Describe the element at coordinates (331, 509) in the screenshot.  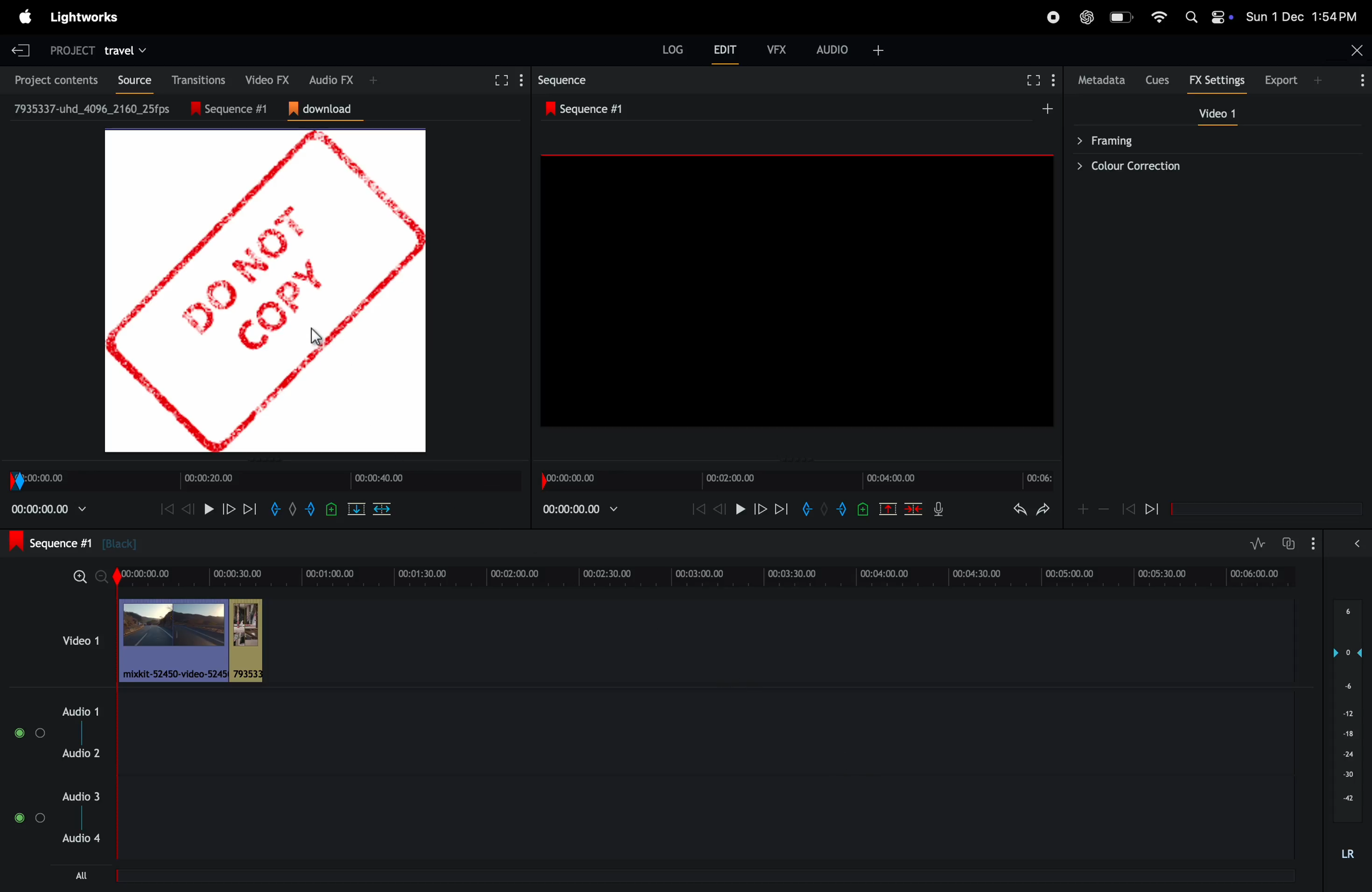
I see `add to current position` at that location.